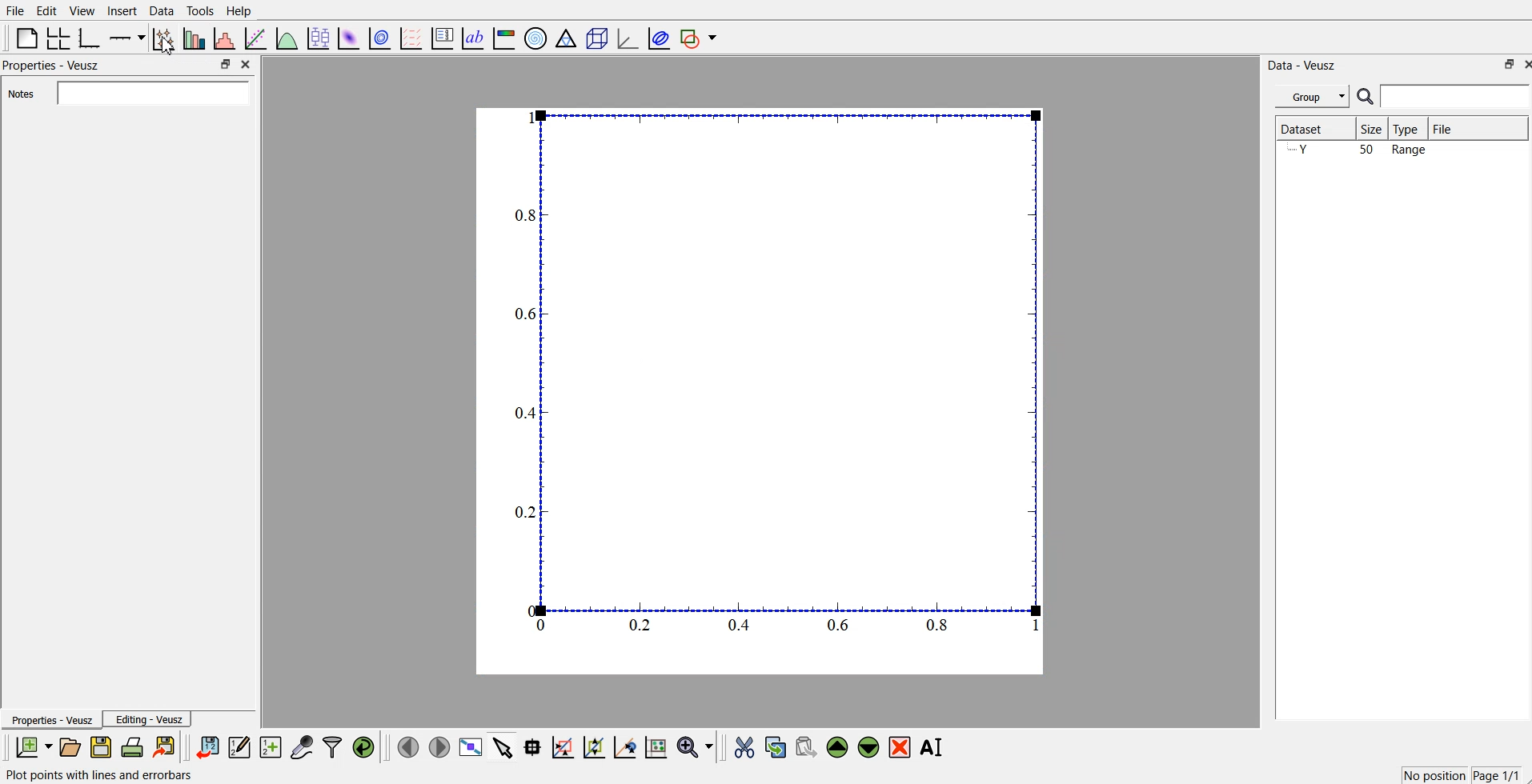 Image resolution: width=1532 pixels, height=784 pixels. What do you see at coordinates (162, 11) in the screenshot?
I see `Data` at bounding box center [162, 11].